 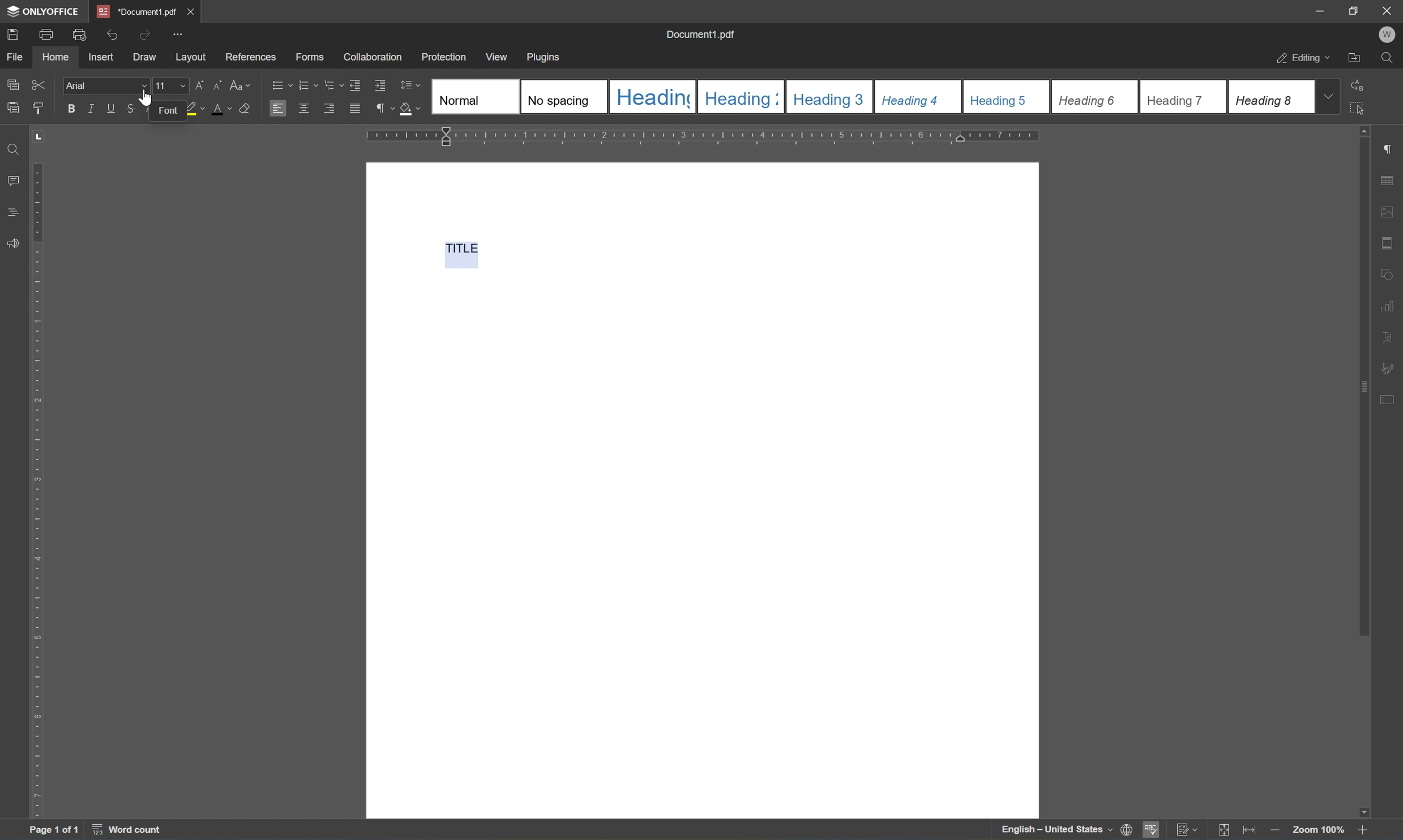 I want to click on close, so click(x=1389, y=10).